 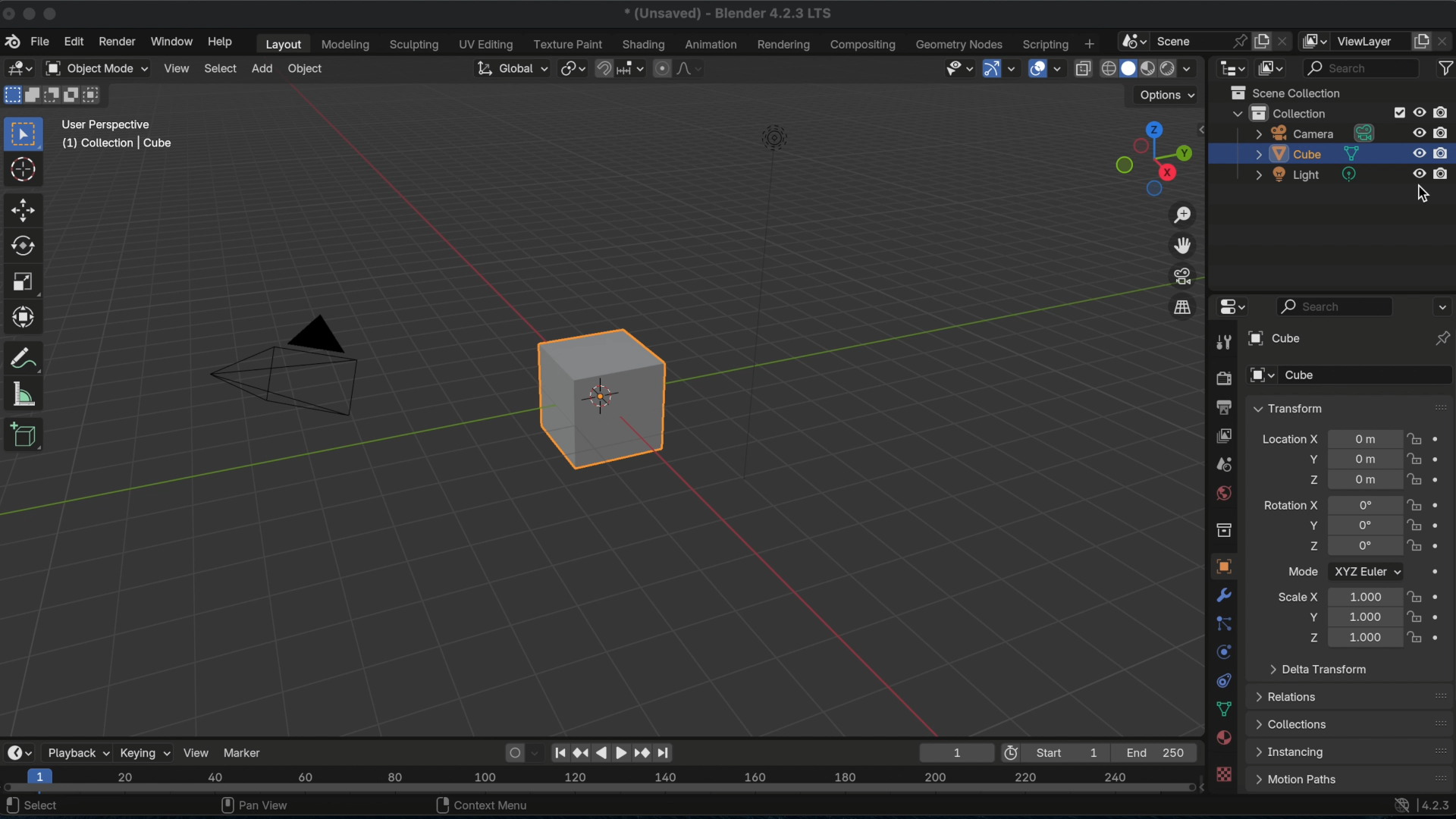 What do you see at coordinates (21, 281) in the screenshot?
I see `` at bounding box center [21, 281].